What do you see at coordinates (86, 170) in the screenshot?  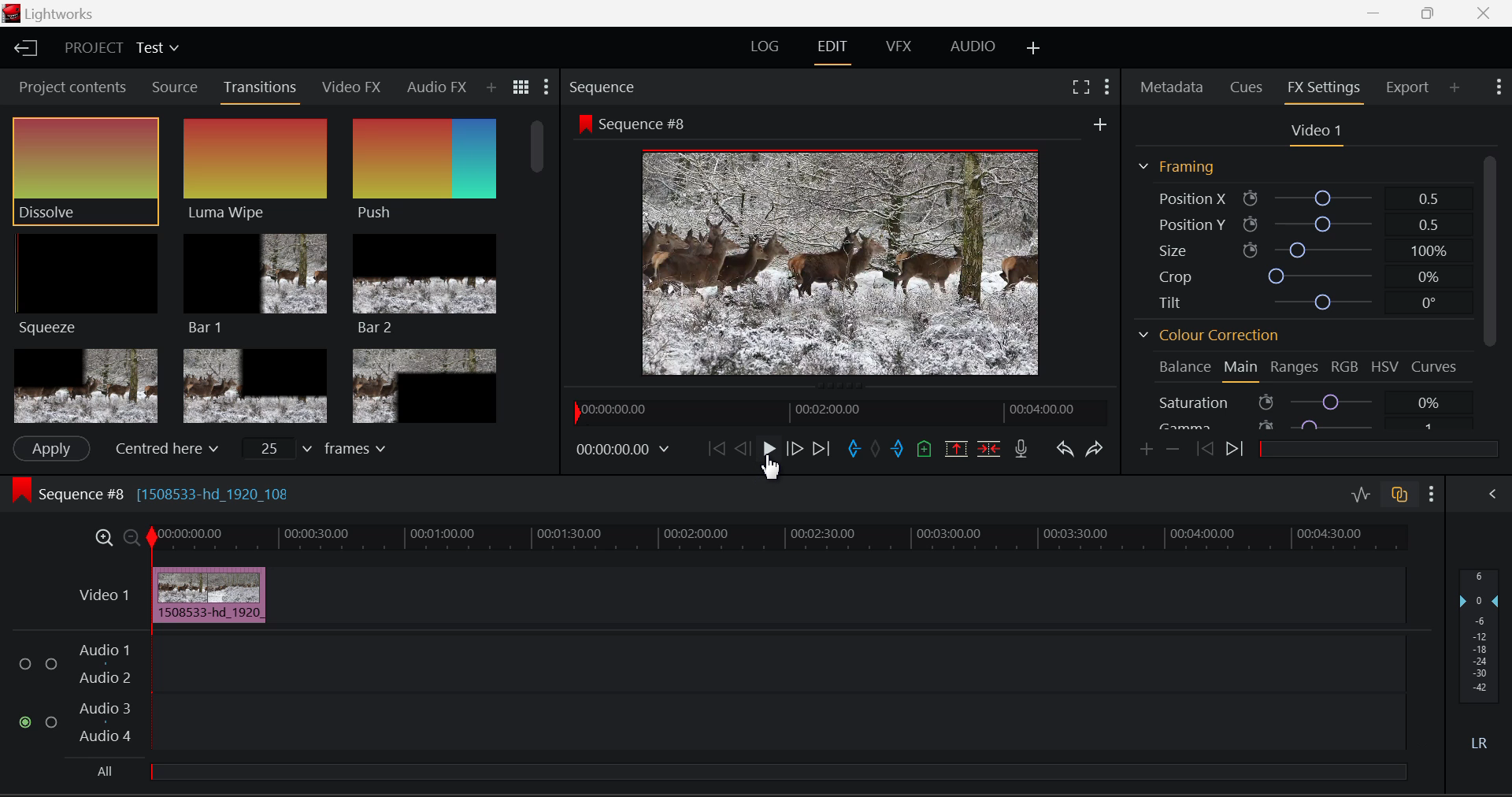 I see `Dissolve` at bounding box center [86, 170].